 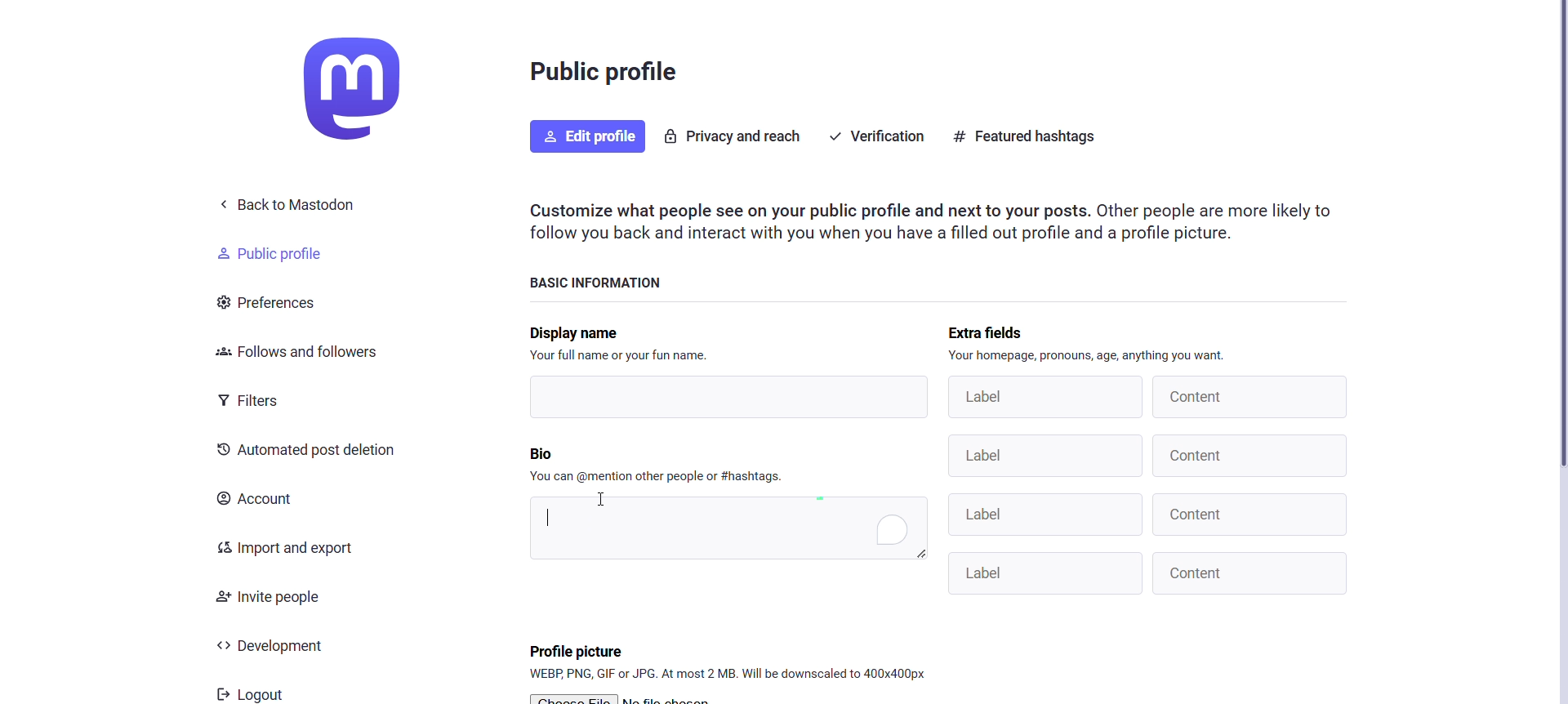 What do you see at coordinates (264, 501) in the screenshot?
I see `Account` at bounding box center [264, 501].